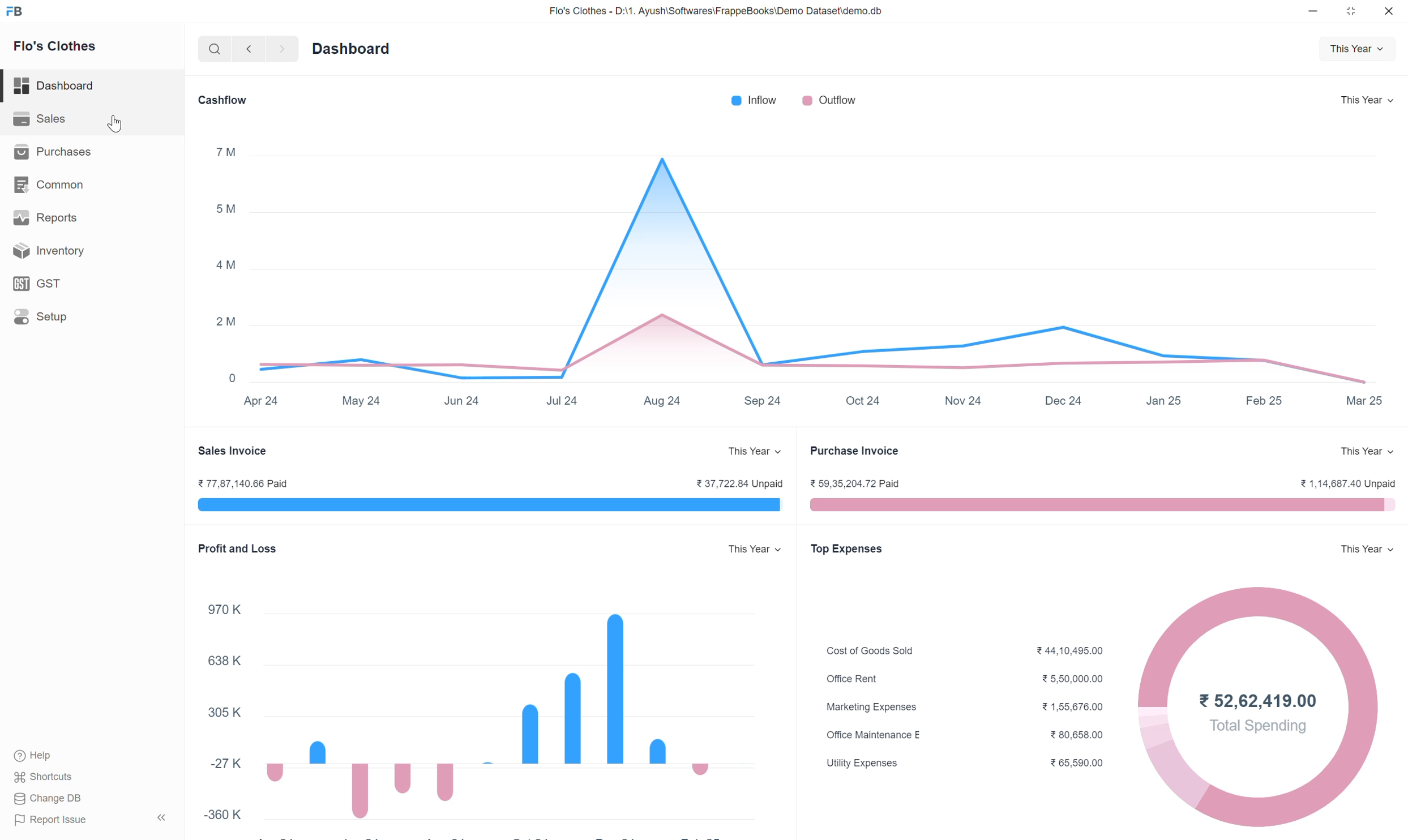 Image resolution: width=1408 pixels, height=840 pixels. I want to click on 638 K, so click(225, 661).